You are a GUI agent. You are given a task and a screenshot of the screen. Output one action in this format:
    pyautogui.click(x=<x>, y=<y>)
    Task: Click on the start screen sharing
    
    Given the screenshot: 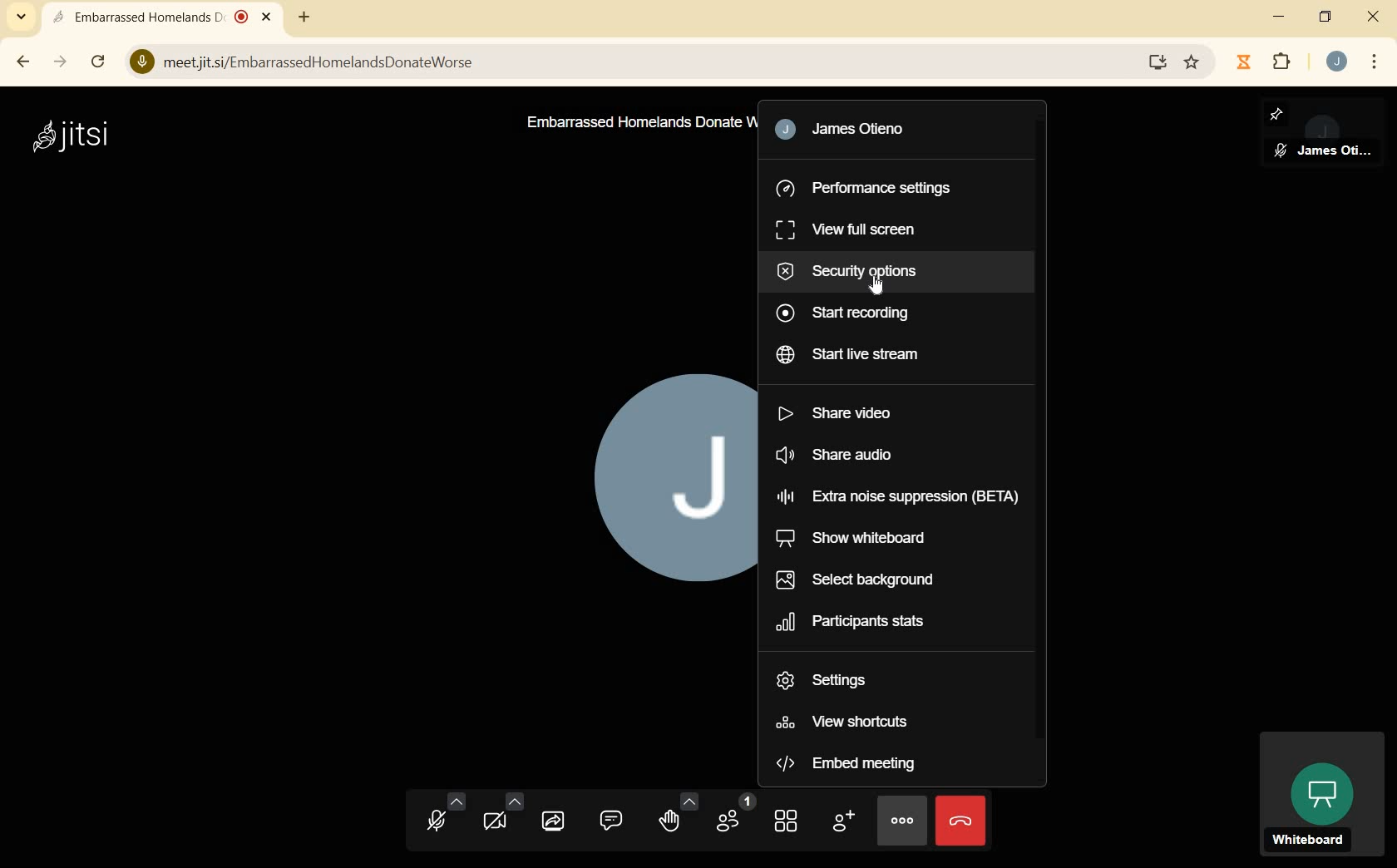 What is the action you would take?
    pyautogui.click(x=554, y=822)
    